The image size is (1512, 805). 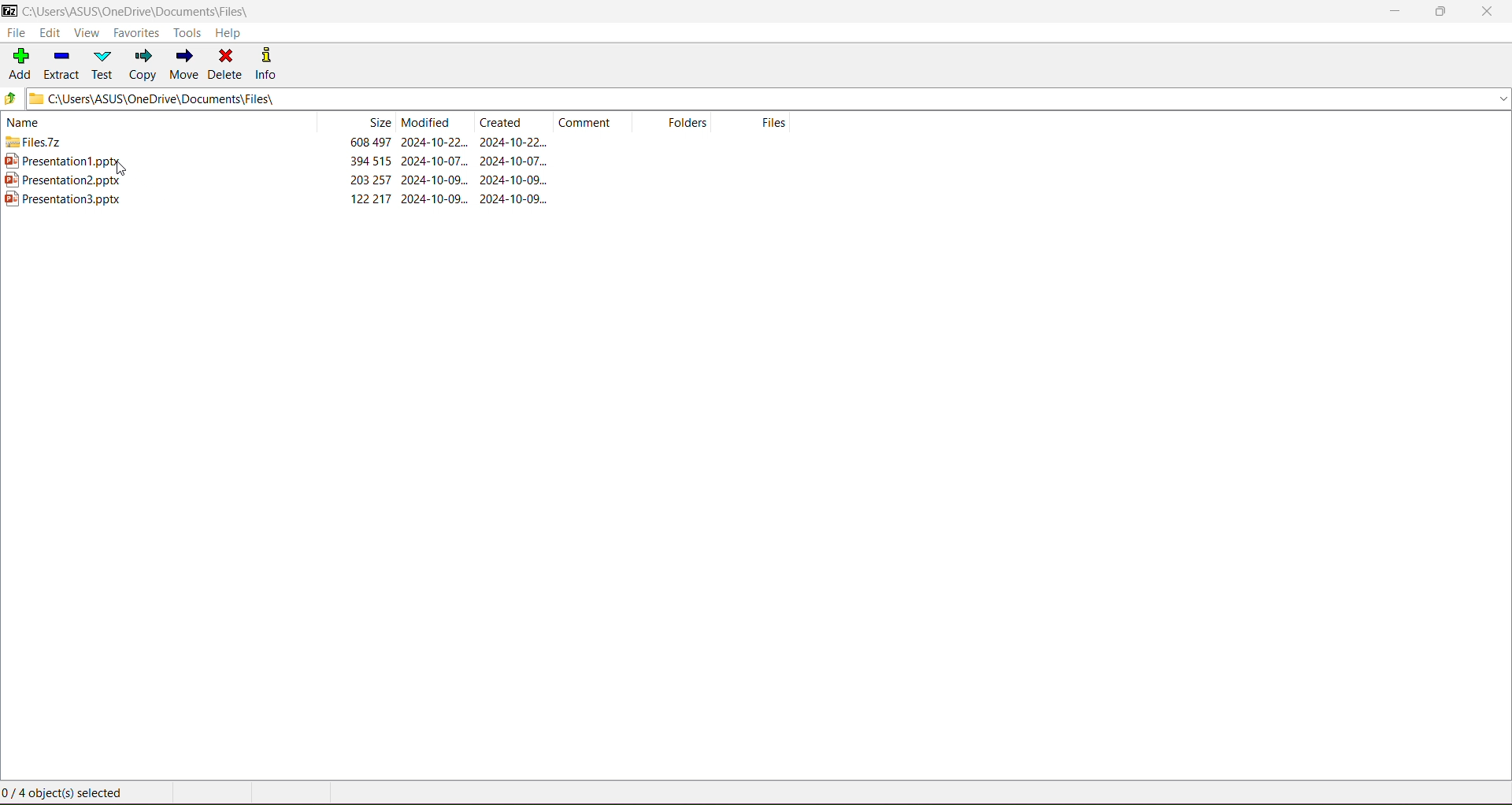 What do you see at coordinates (371, 180) in the screenshot?
I see `203 257` at bounding box center [371, 180].